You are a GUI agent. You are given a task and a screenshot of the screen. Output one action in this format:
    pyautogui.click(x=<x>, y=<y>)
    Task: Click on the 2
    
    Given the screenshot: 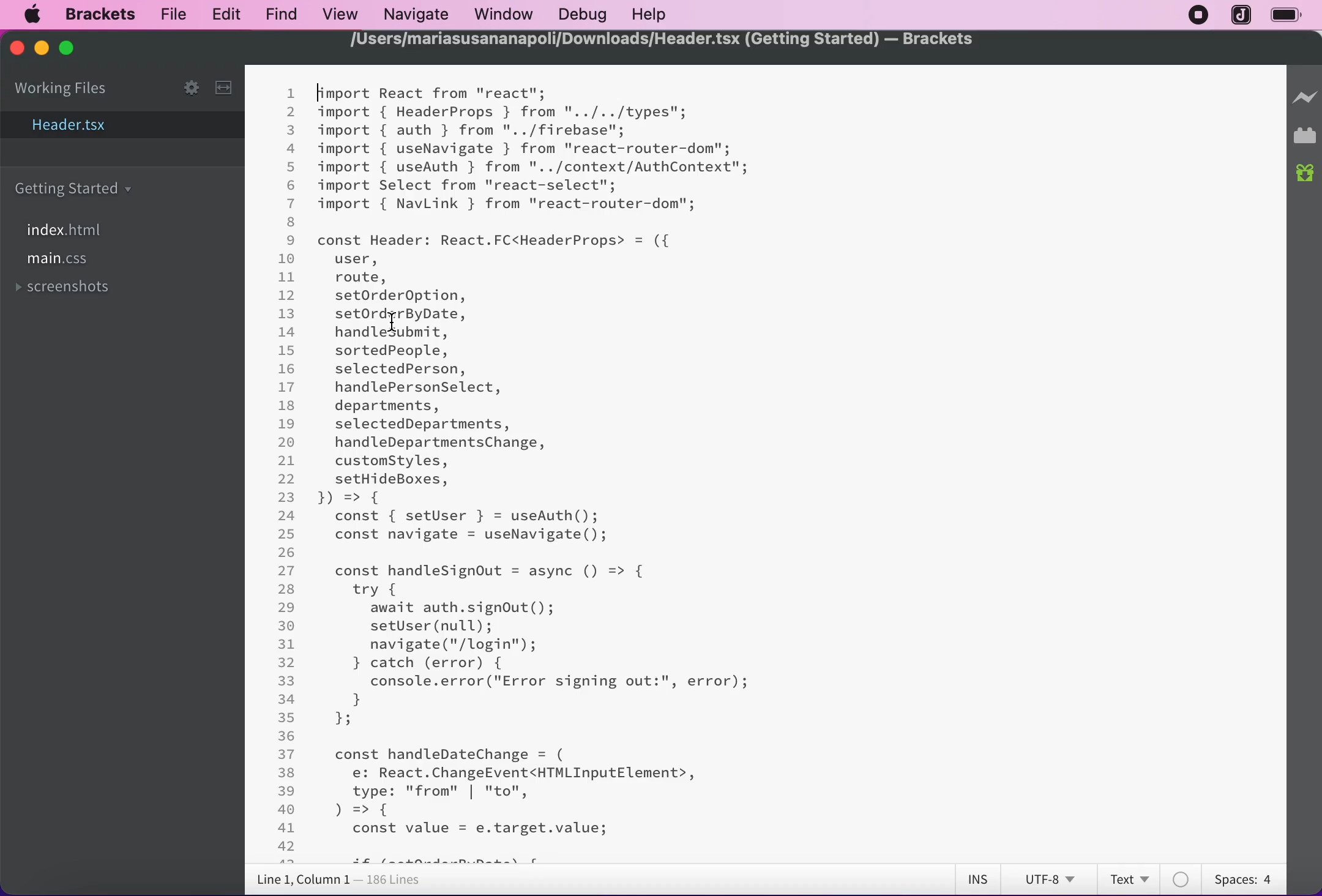 What is the action you would take?
    pyautogui.click(x=291, y=112)
    